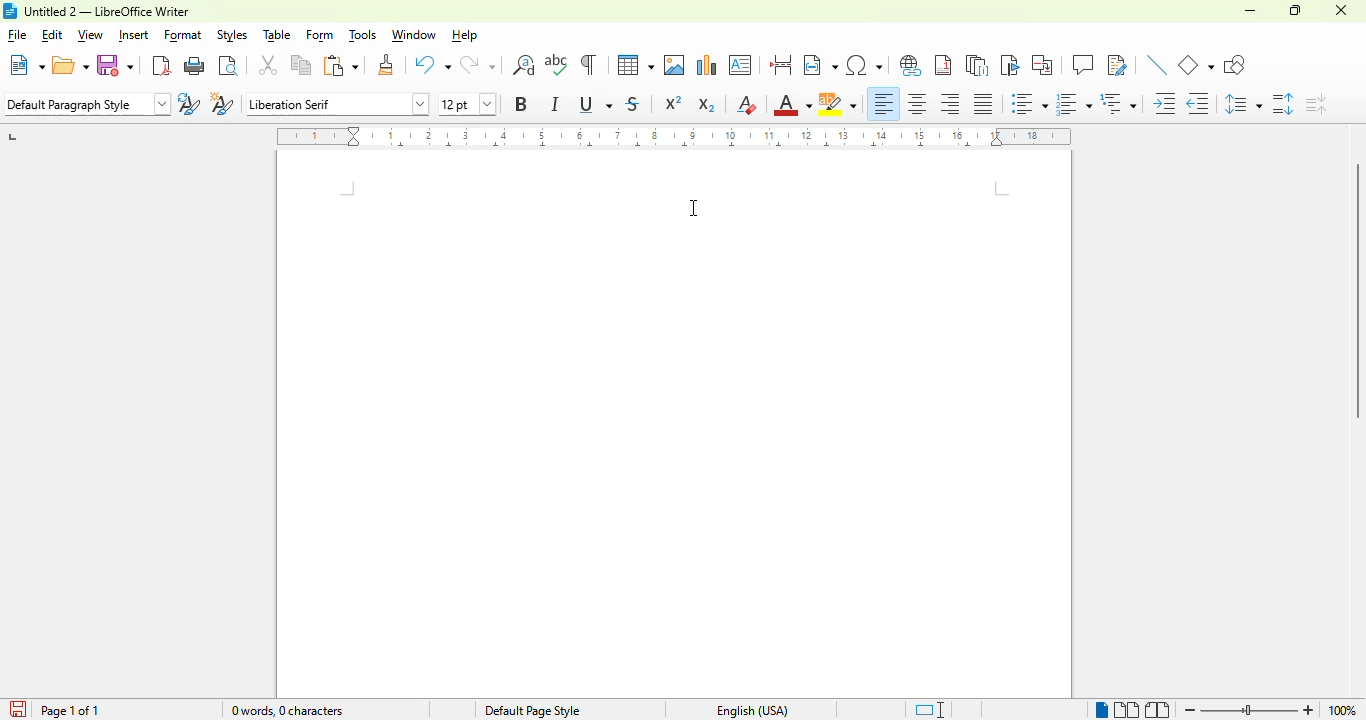 The image size is (1366, 720). I want to click on zoom out, so click(1191, 710).